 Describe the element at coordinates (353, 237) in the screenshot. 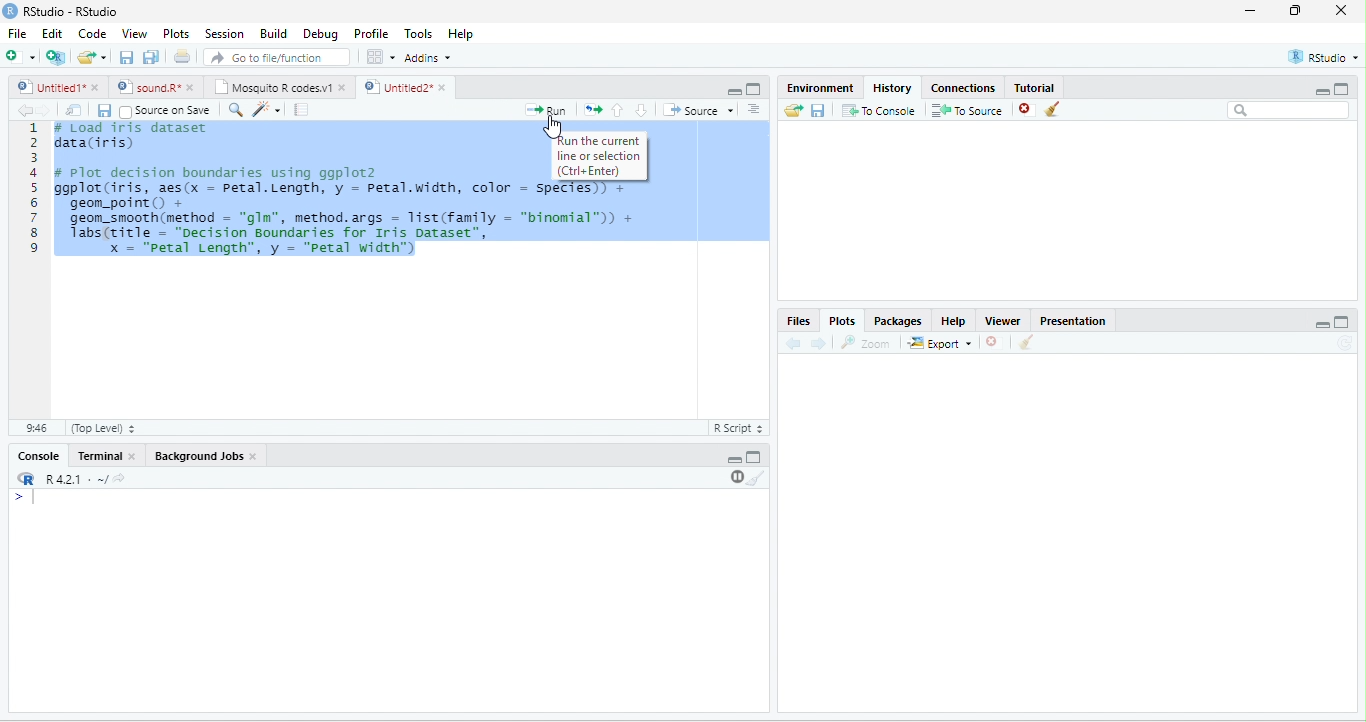

I see `geom_smooth(method = gim , method.args = list(Tamily = binomial )) +
Tabs(title - “Decision Boundaries for Iris Dataset”,
x = "petal Length”, y = "Petal width")` at that location.